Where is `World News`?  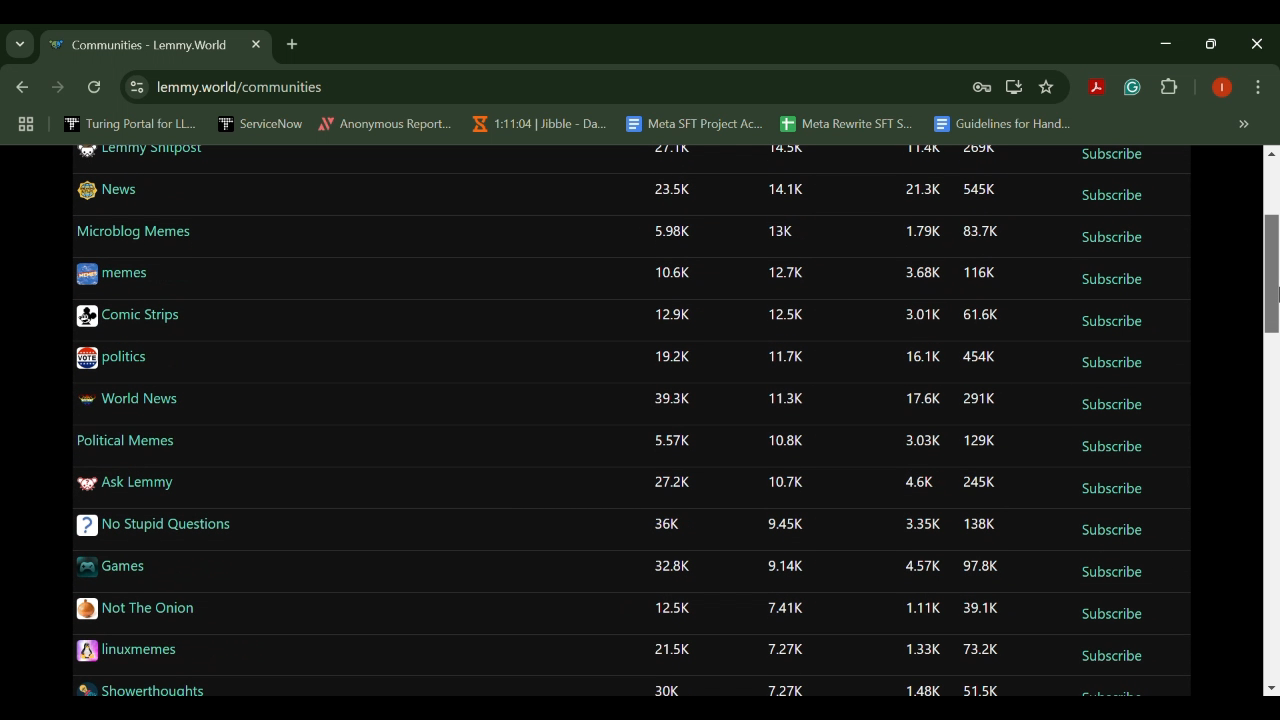
World News is located at coordinates (127, 399).